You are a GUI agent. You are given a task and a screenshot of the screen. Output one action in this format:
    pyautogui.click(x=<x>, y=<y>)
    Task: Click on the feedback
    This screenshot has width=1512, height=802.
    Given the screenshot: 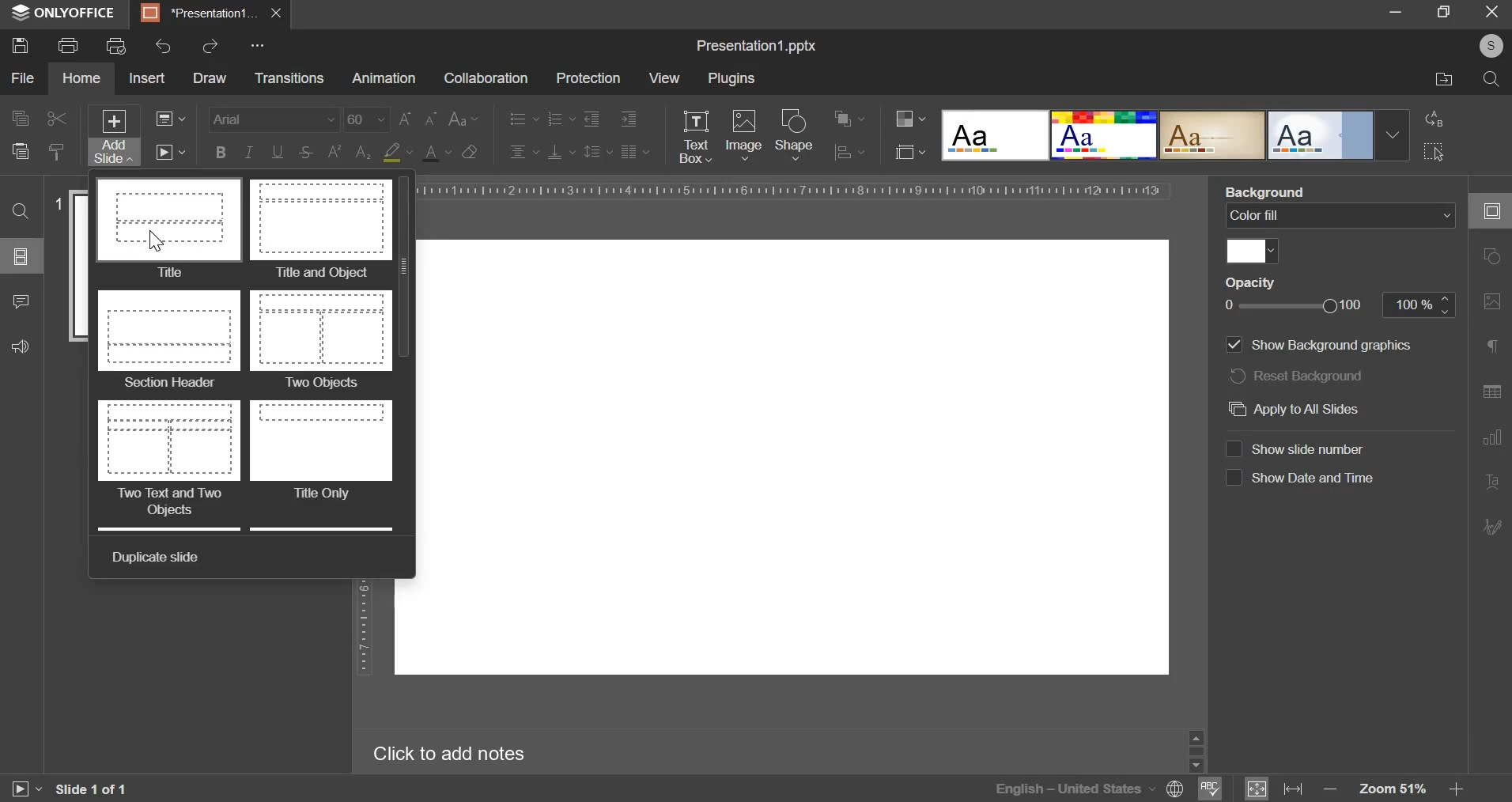 What is the action you would take?
    pyautogui.click(x=17, y=344)
    